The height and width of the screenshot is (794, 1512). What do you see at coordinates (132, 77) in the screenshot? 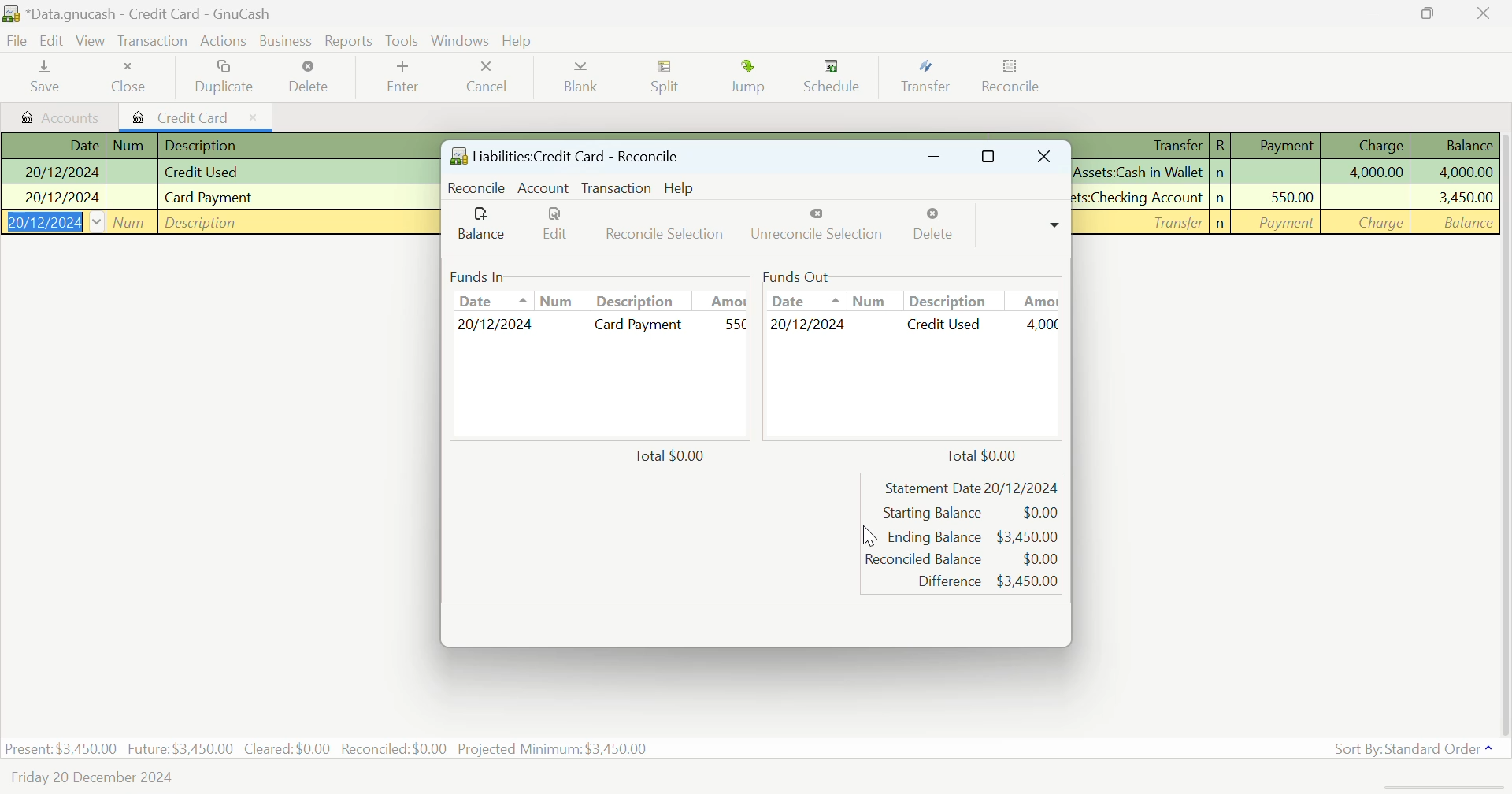
I see `Close` at bounding box center [132, 77].